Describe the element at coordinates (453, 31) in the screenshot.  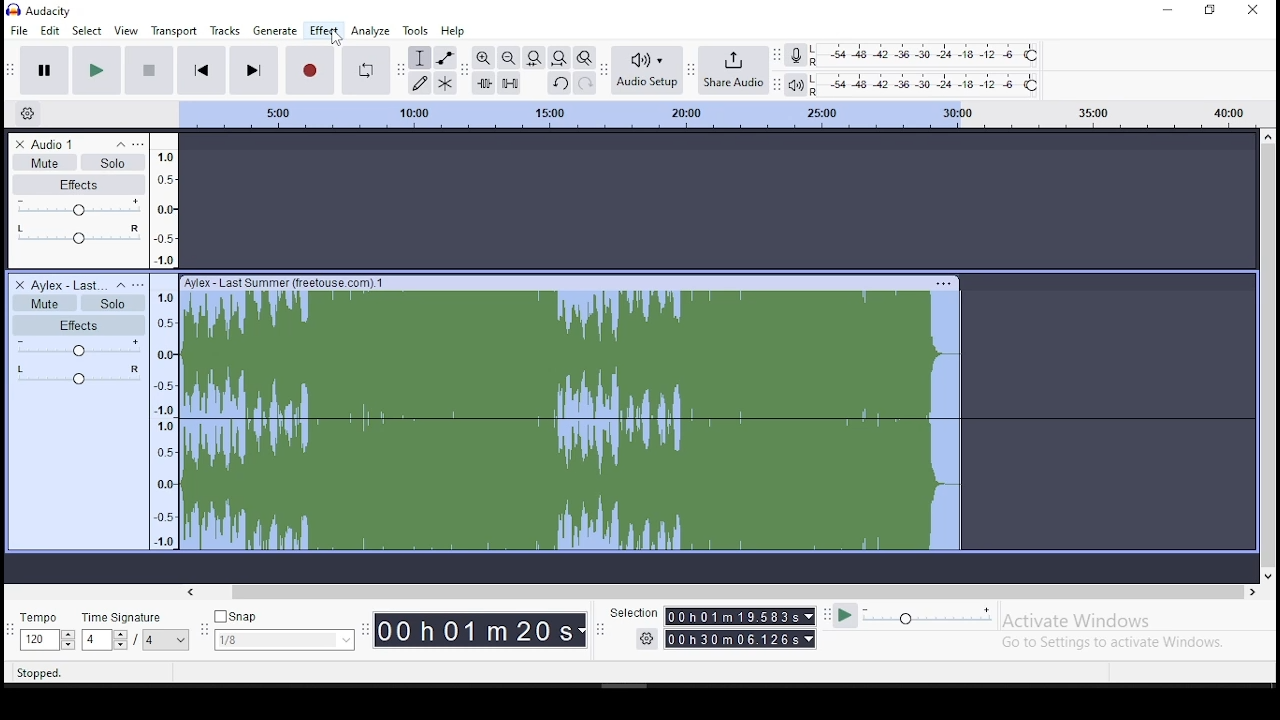
I see `help` at that location.